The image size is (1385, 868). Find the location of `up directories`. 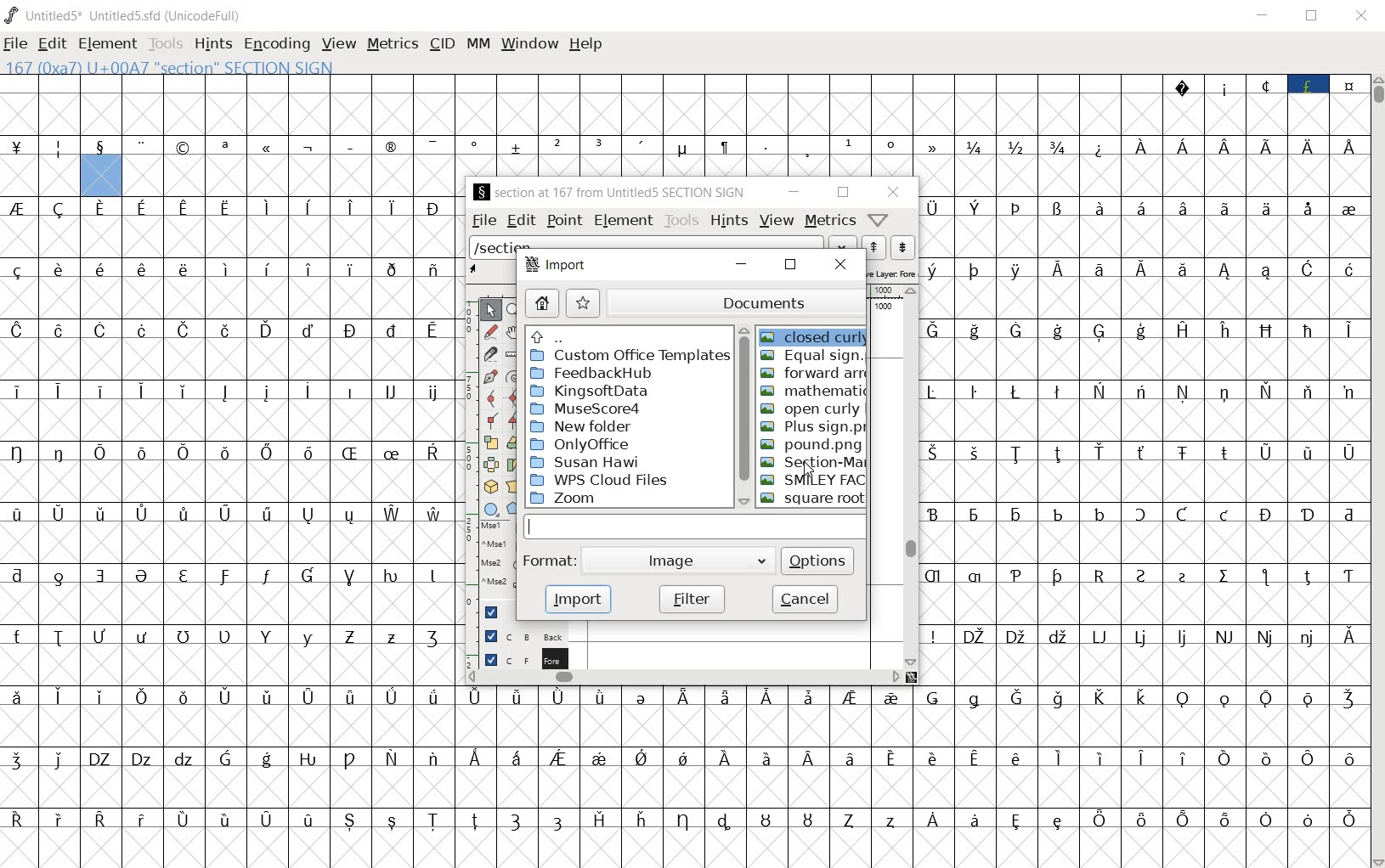

up directories is located at coordinates (629, 336).